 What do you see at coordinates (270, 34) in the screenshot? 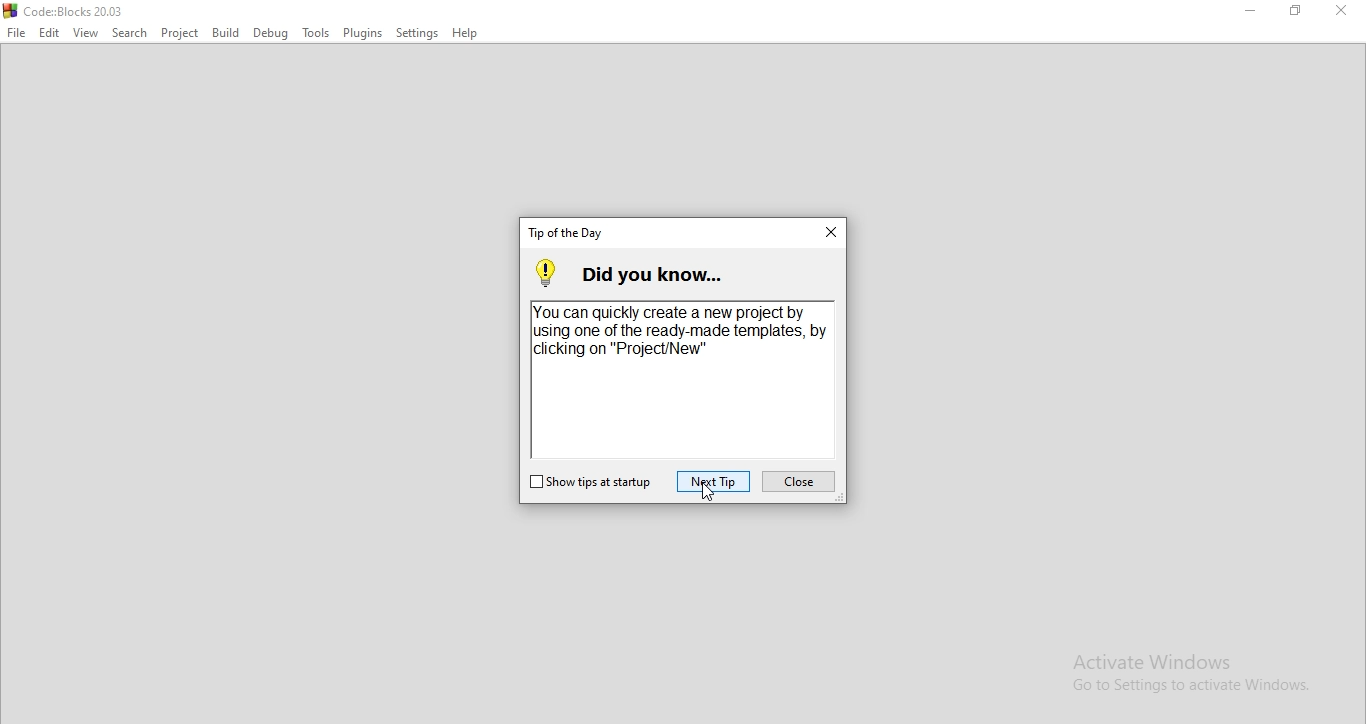
I see `Debug ` at bounding box center [270, 34].